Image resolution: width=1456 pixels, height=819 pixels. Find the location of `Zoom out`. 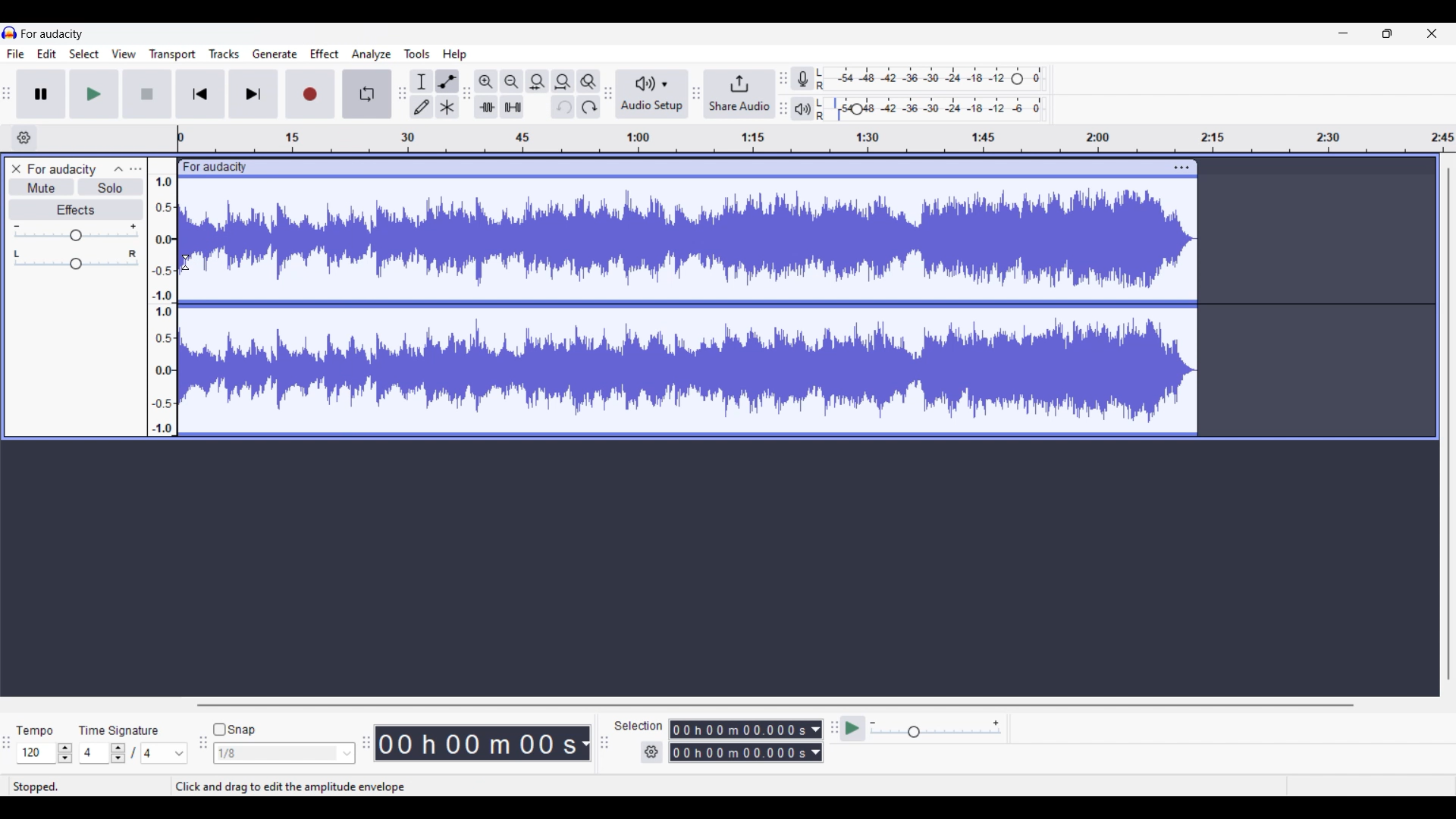

Zoom out is located at coordinates (513, 81).